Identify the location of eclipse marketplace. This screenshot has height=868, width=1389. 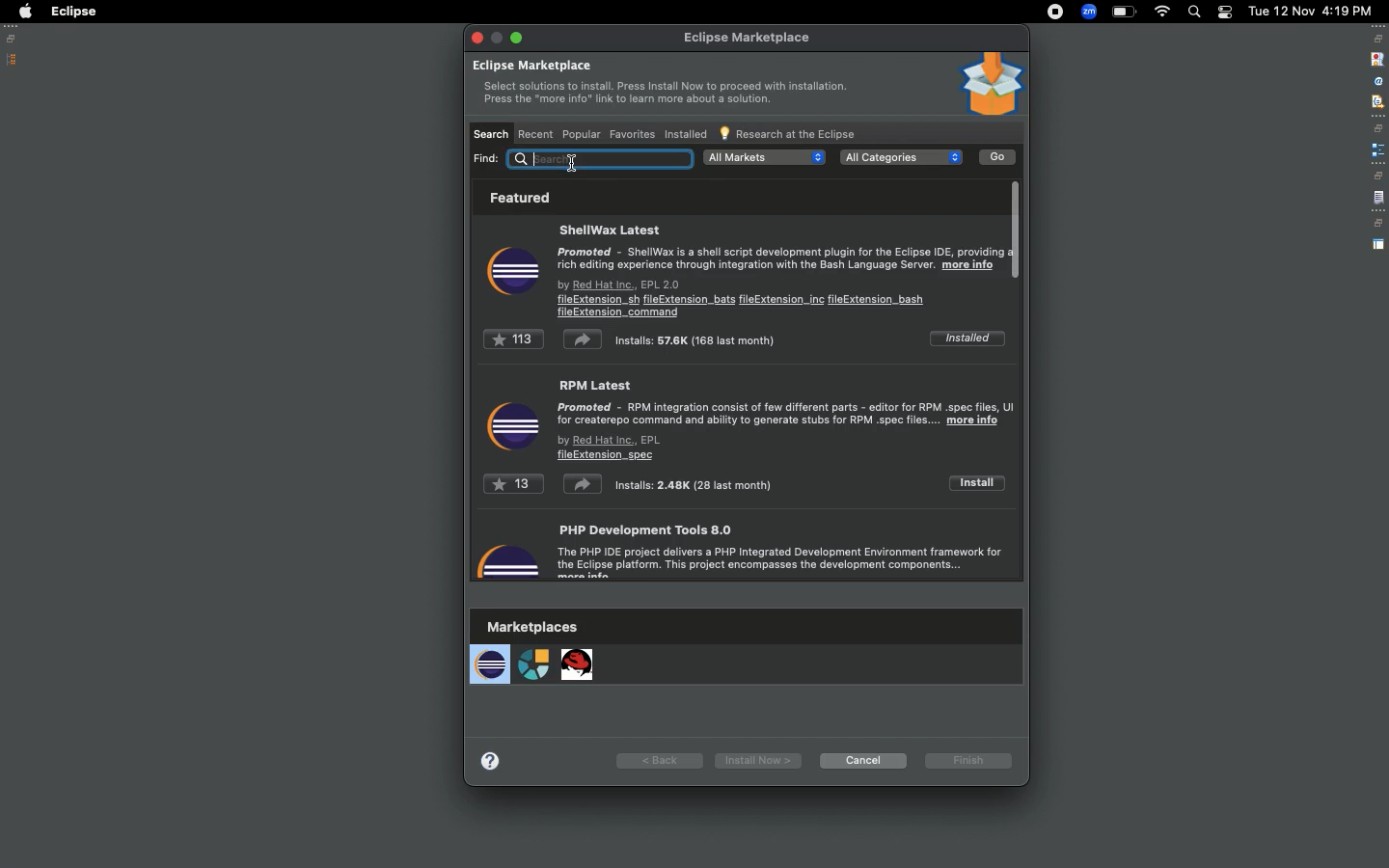
(749, 39).